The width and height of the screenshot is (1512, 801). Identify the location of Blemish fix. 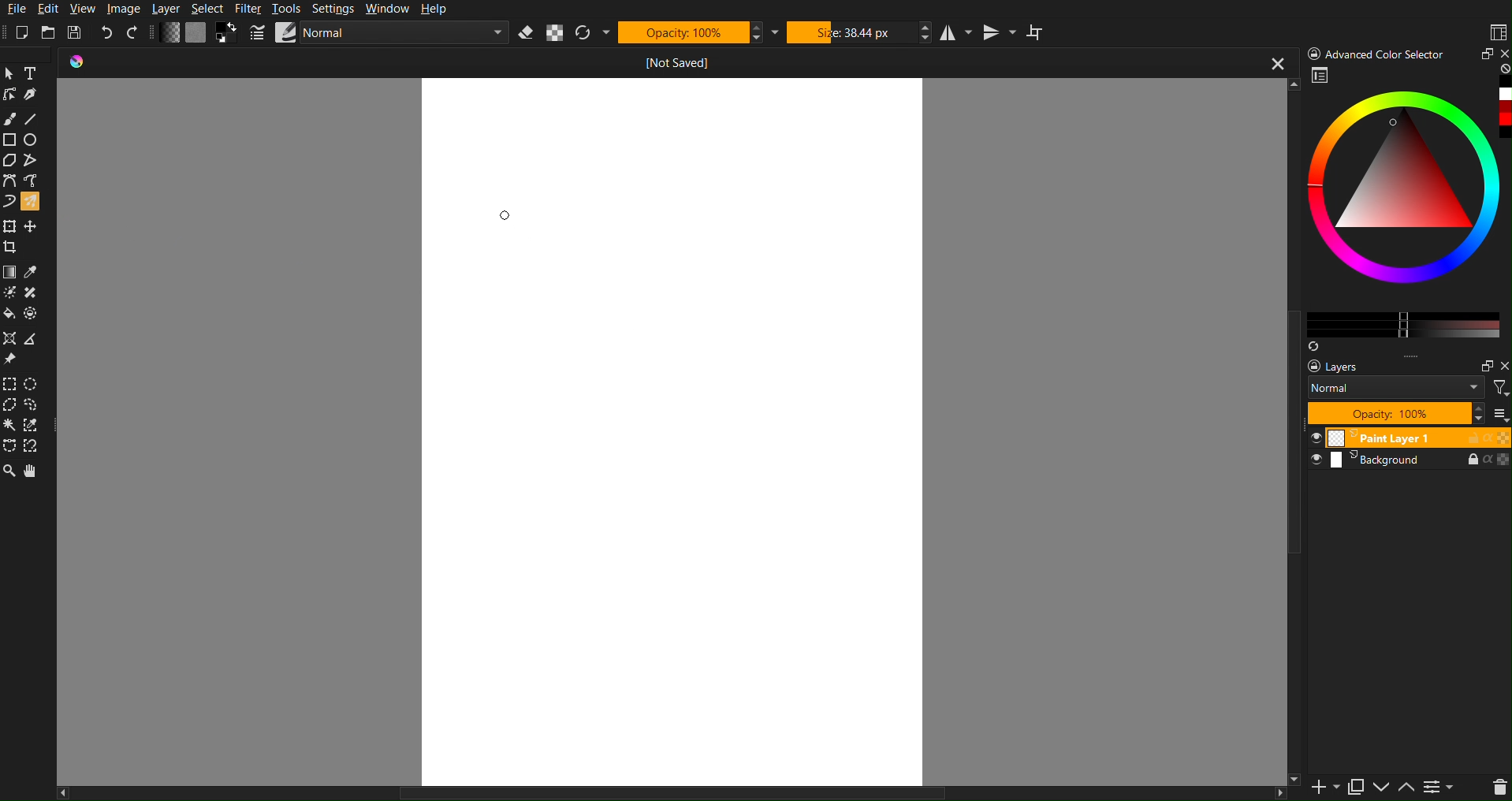
(35, 294).